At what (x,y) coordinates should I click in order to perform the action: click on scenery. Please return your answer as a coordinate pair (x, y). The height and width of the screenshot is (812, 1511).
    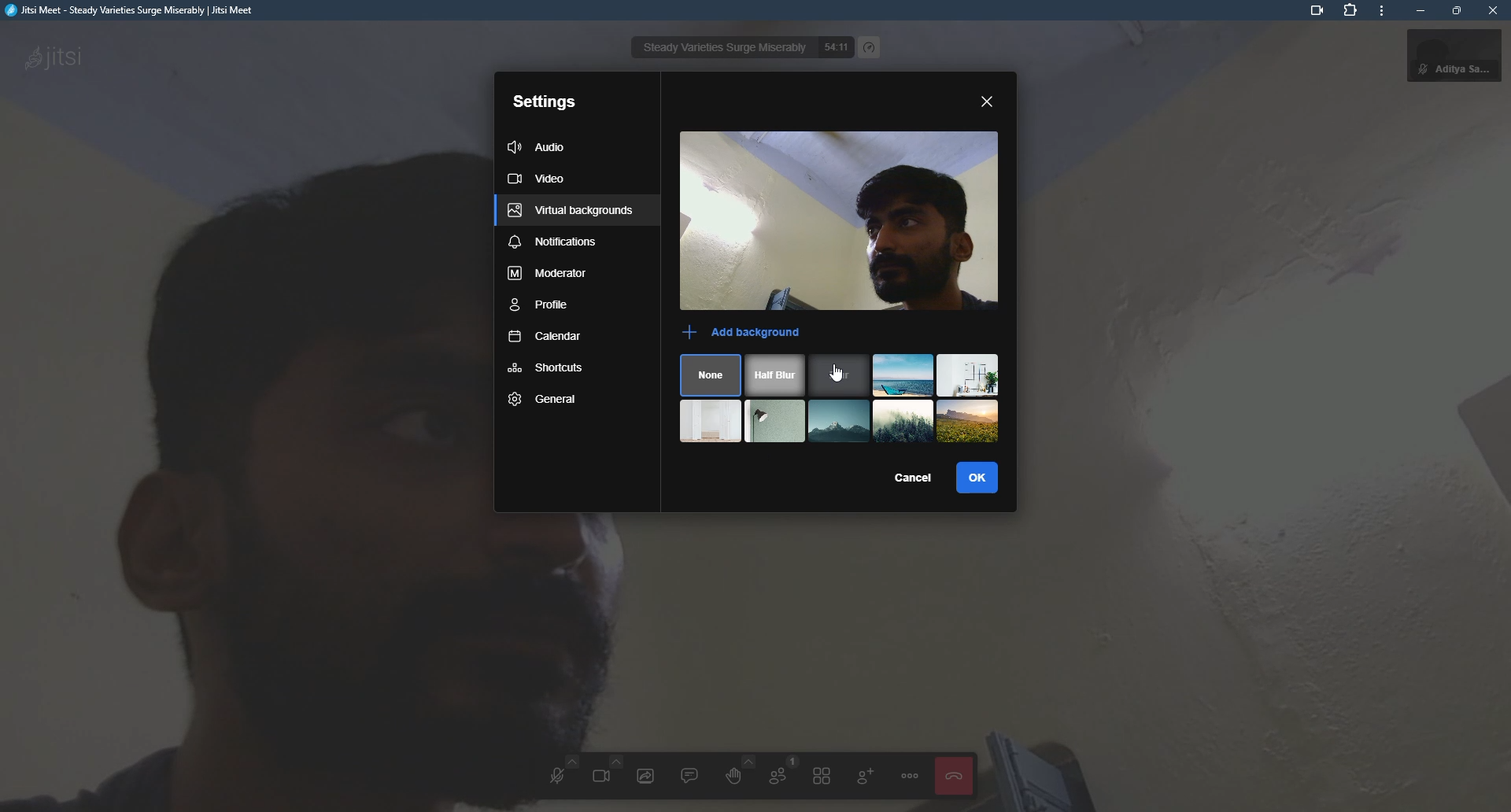
    Looking at the image, I should click on (712, 420).